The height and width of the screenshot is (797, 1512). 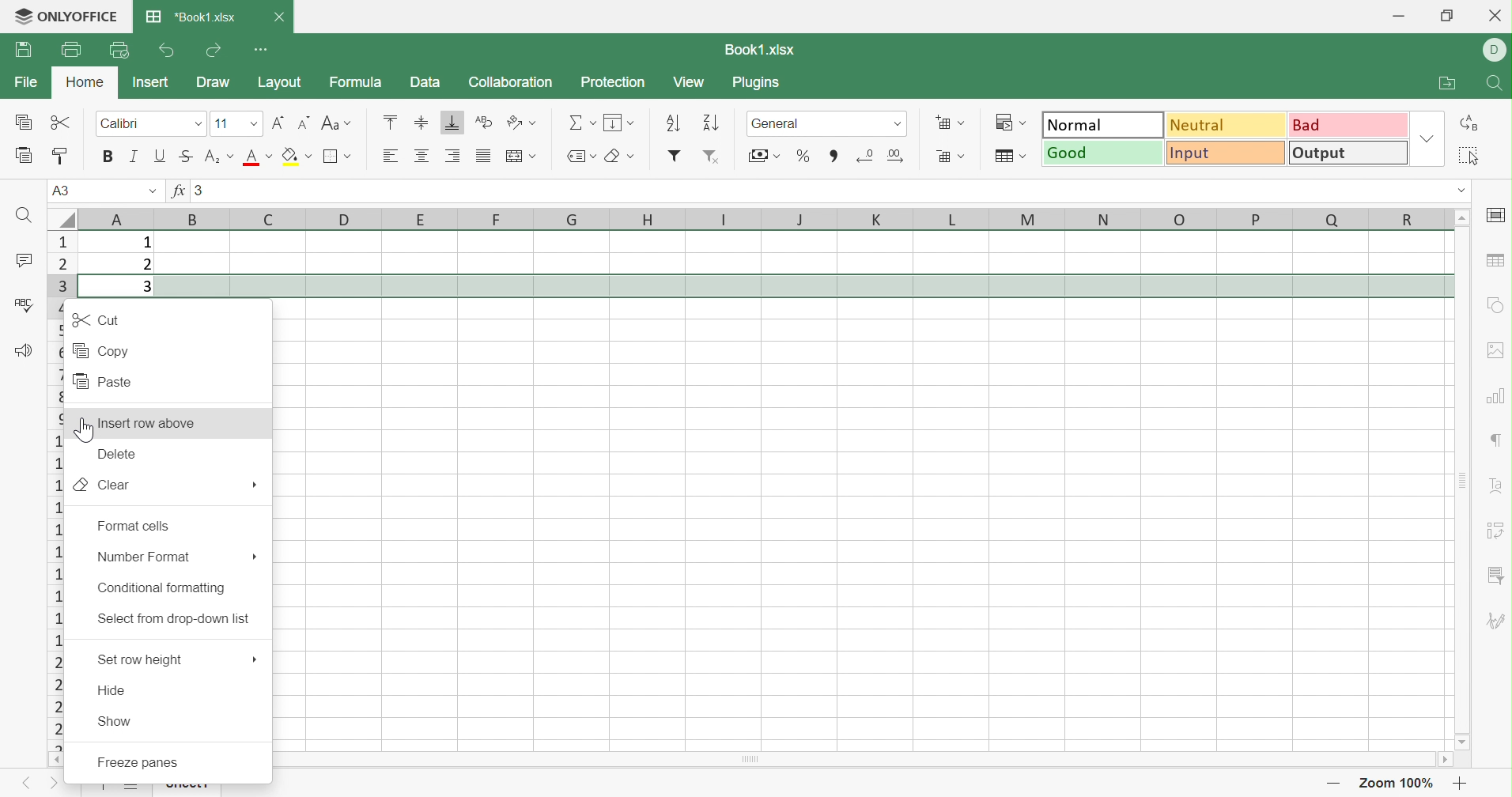 What do you see at coordinates (154, 421) in the screenshot?
I see `Insert row above` at bounding box center [154, 421].